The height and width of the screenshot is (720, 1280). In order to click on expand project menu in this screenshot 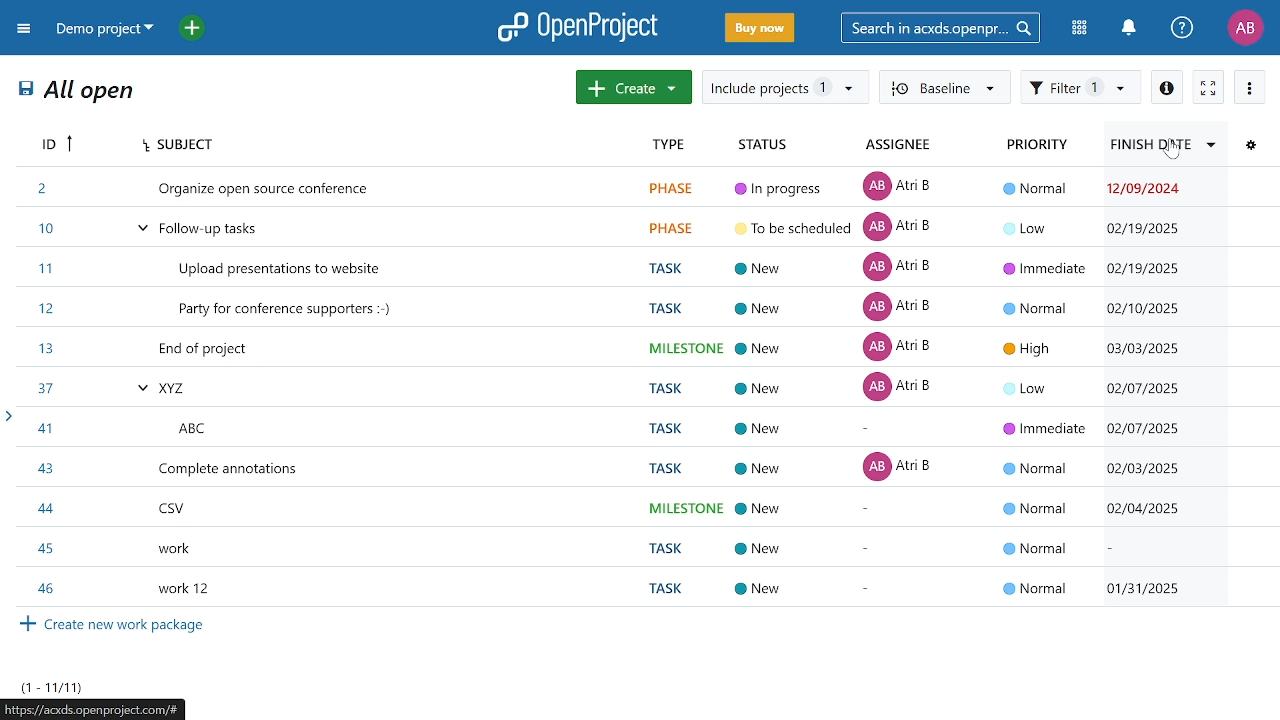, I will do `click(22, 30)`.